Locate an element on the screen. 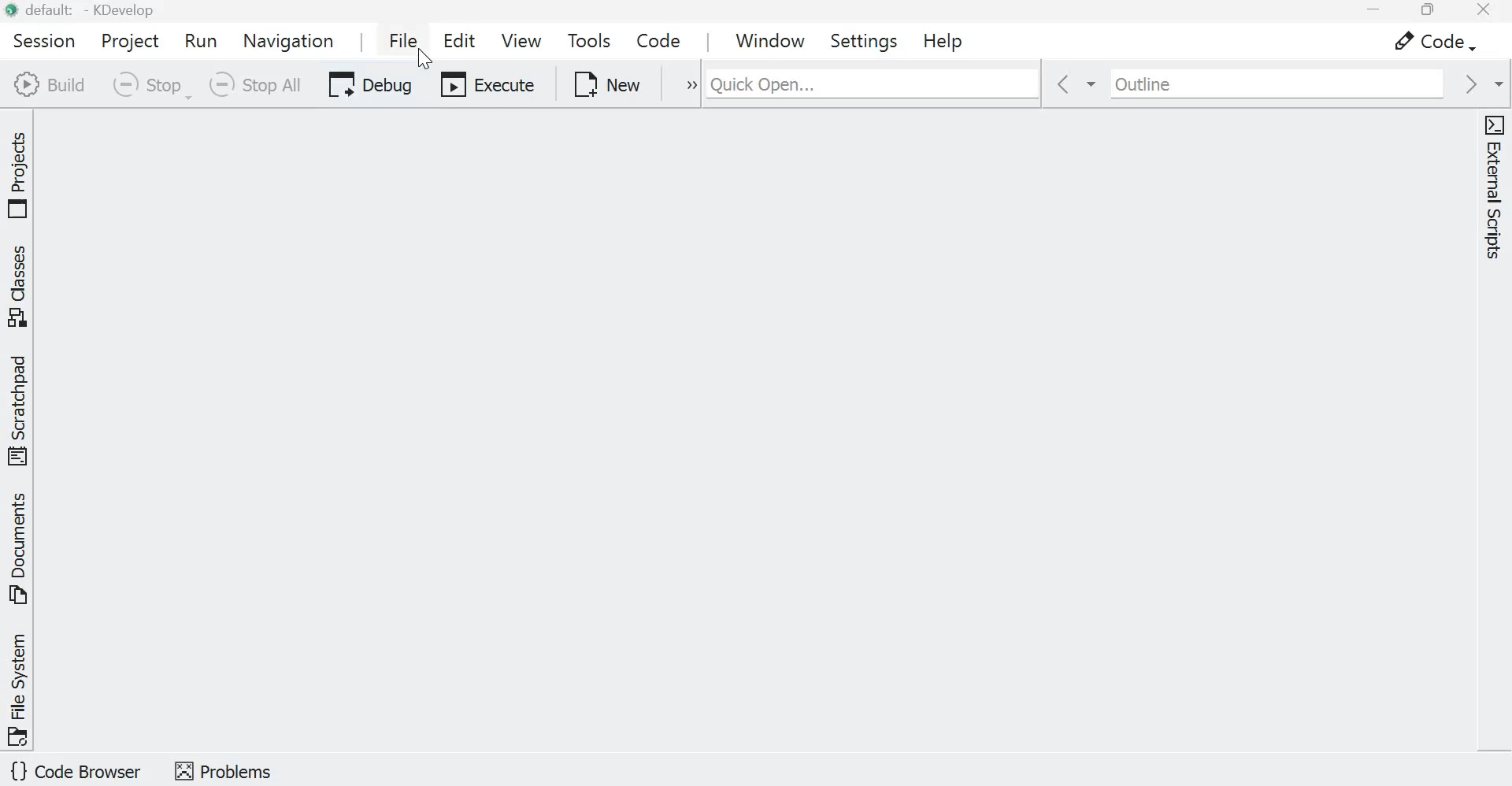 This screenshot has width=1512, height=786. Navigation is located at coordinates (290, 40).